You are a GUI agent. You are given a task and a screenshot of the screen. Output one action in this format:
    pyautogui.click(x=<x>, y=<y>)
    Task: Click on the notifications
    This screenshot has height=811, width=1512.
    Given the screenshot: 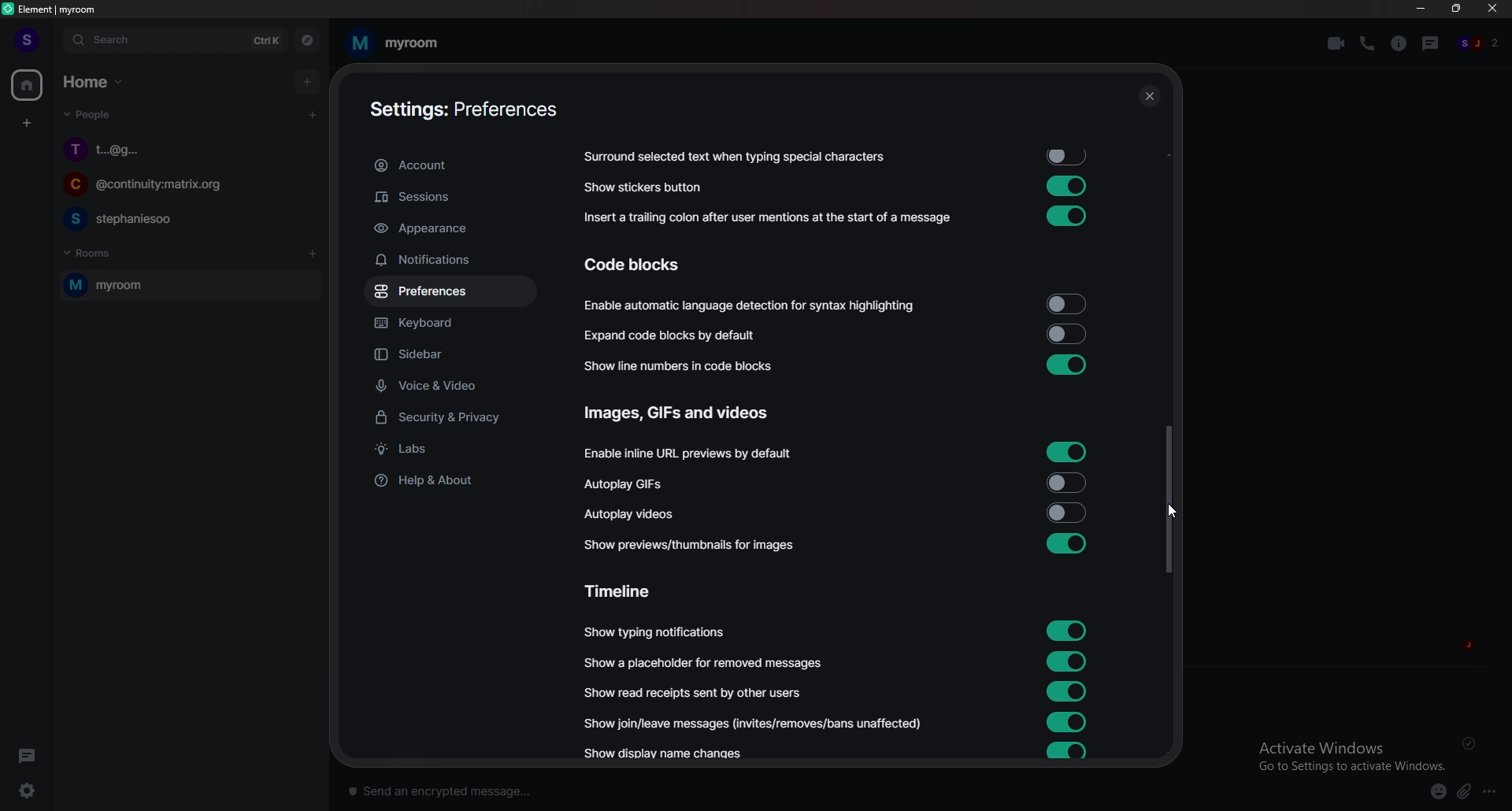 What is the action you would take?
    pyautogui.click(x=447, y=260)
    